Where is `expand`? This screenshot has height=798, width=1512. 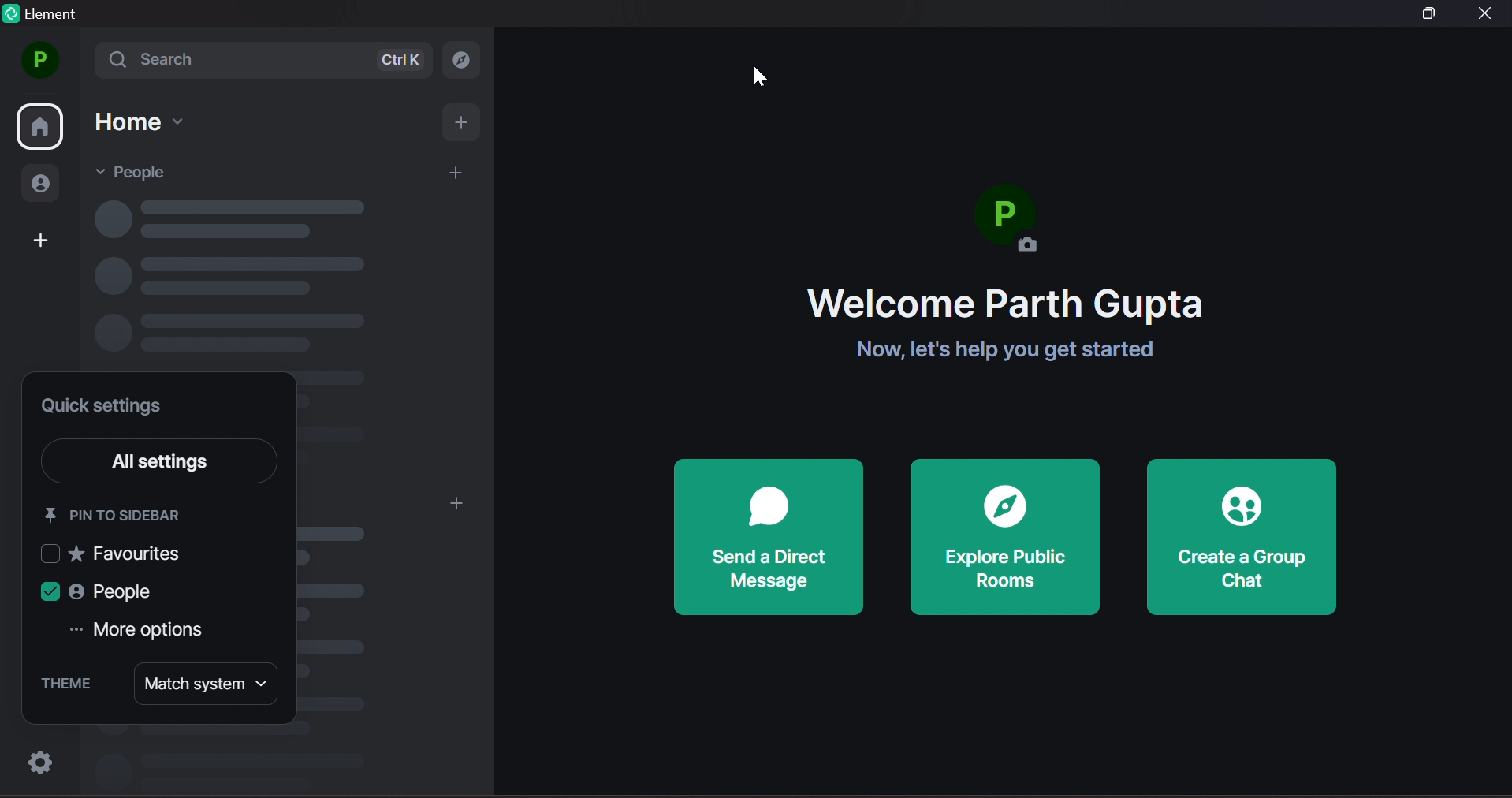
expand is located at coordinates (83, 64).